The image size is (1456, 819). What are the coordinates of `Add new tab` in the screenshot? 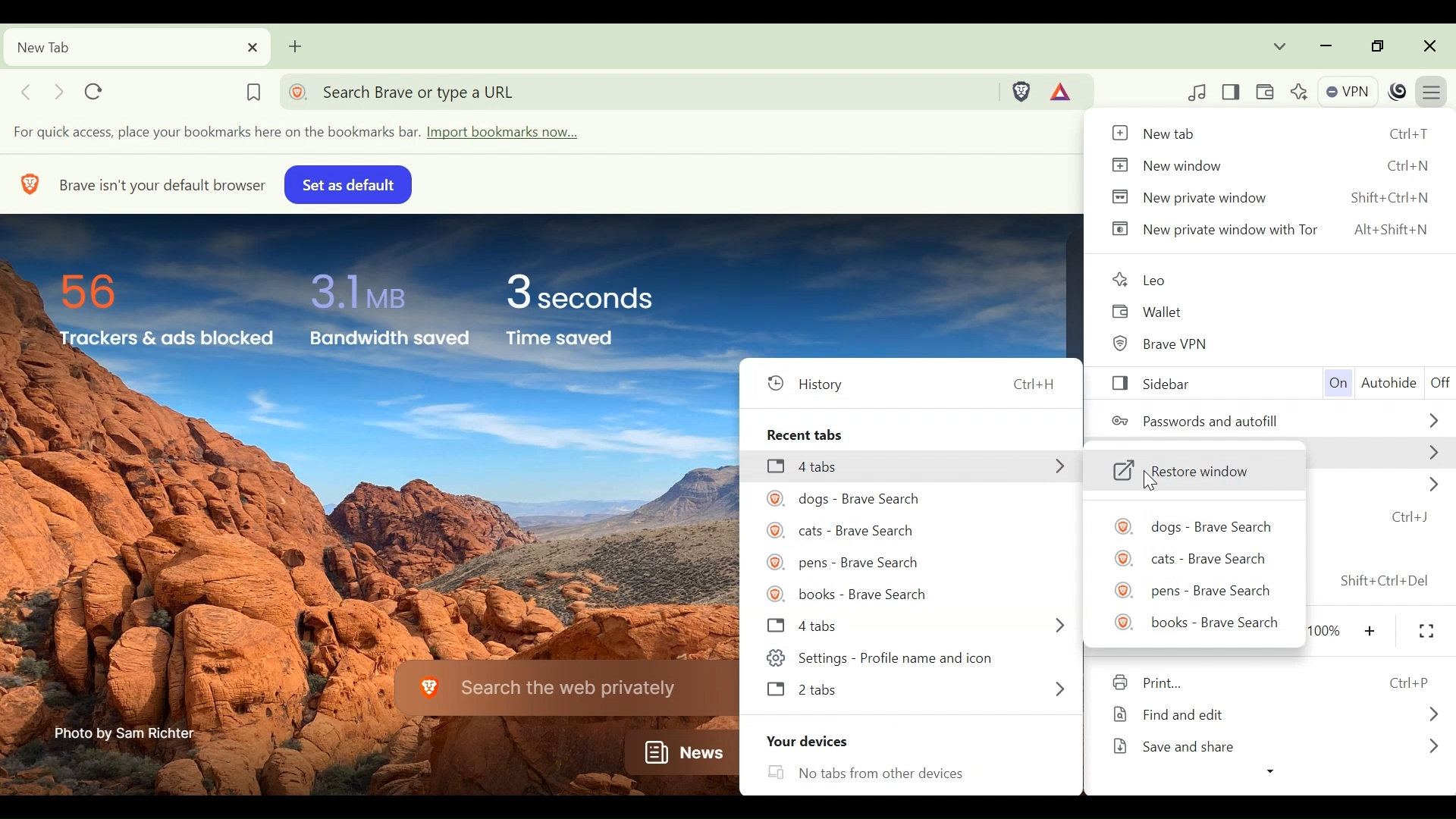 It's located at (297, 45).